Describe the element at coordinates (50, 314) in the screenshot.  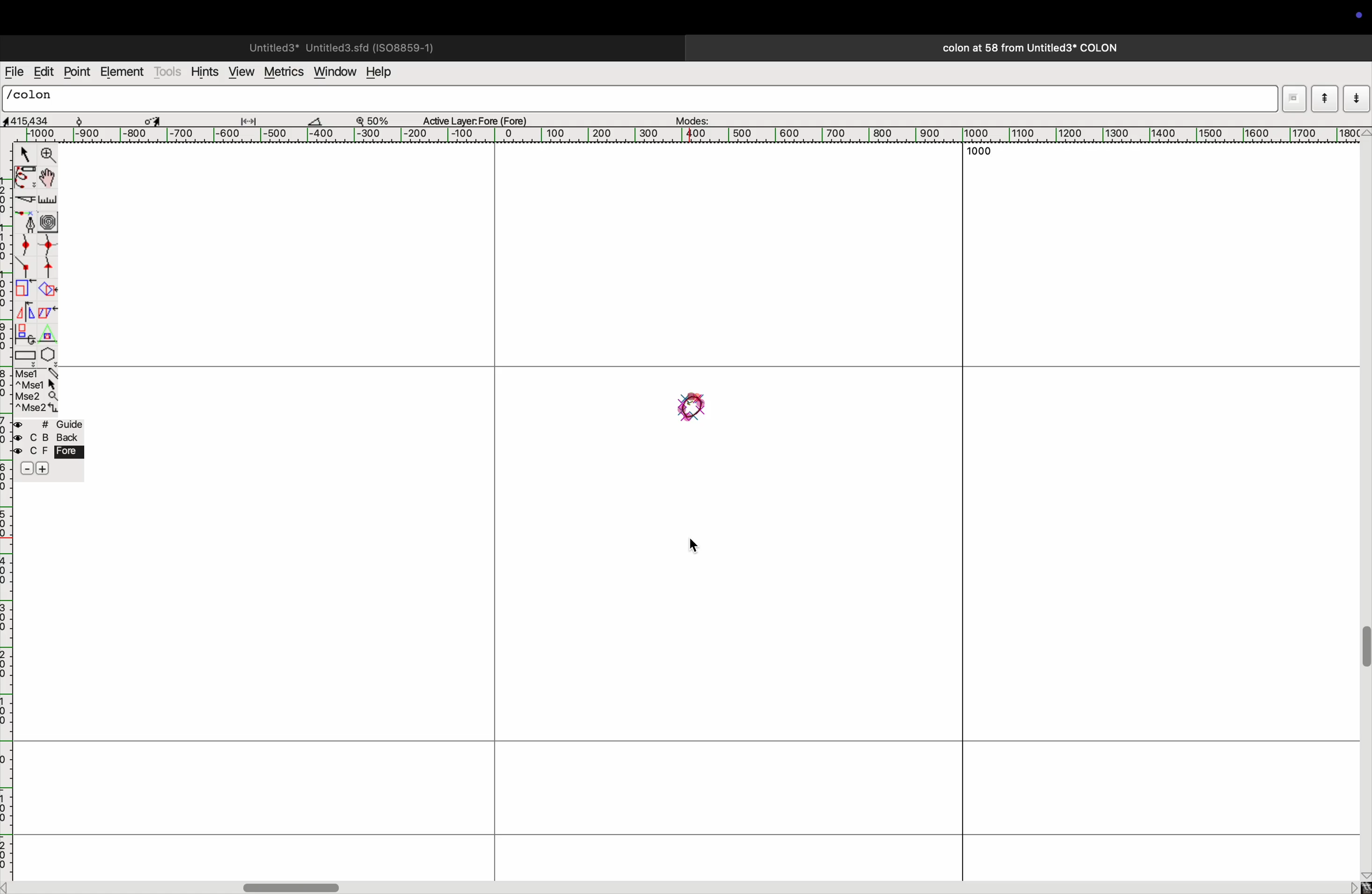
I see `copy` at that location.